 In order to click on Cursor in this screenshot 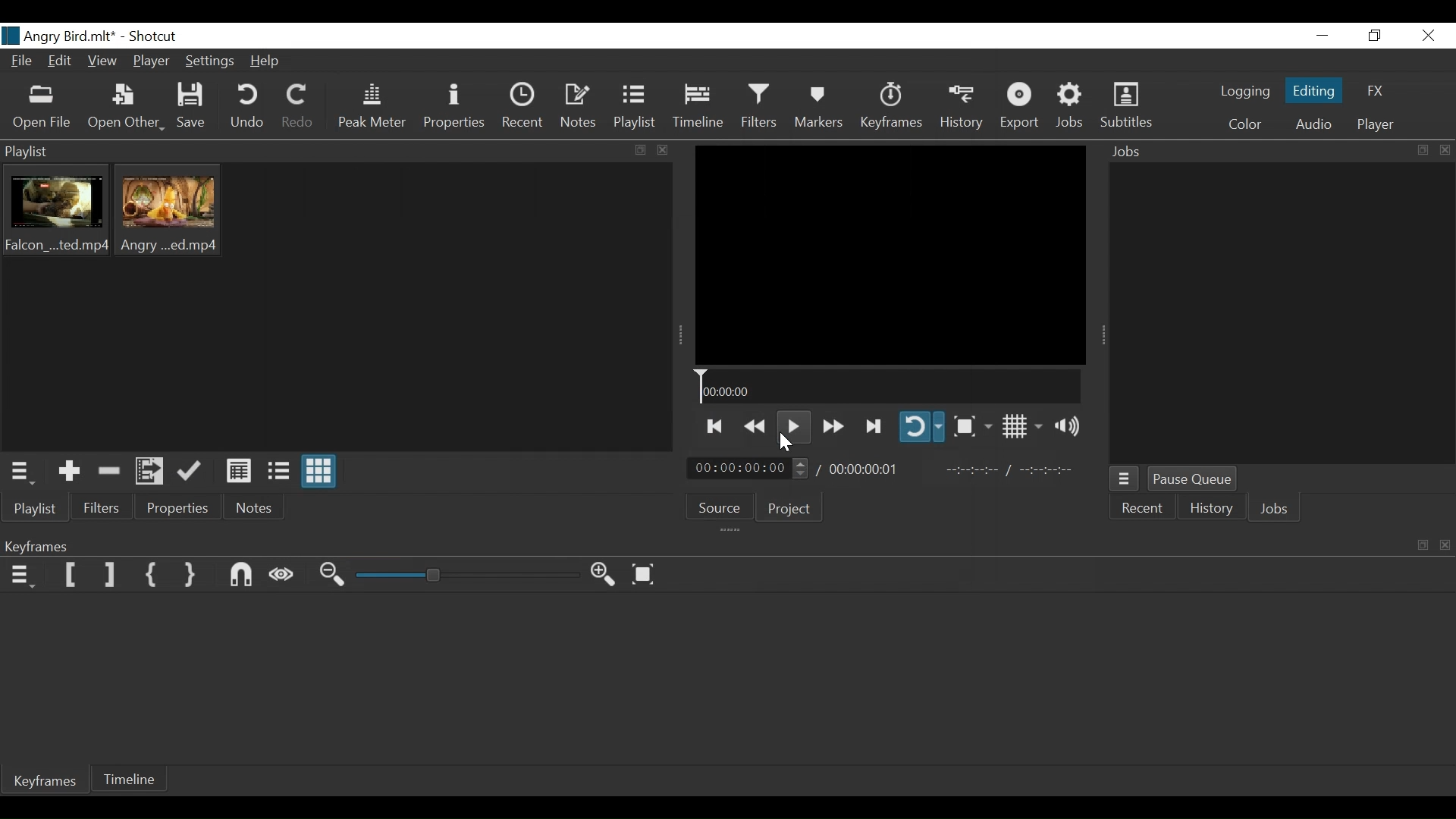, I will do `click(785, 447)`.